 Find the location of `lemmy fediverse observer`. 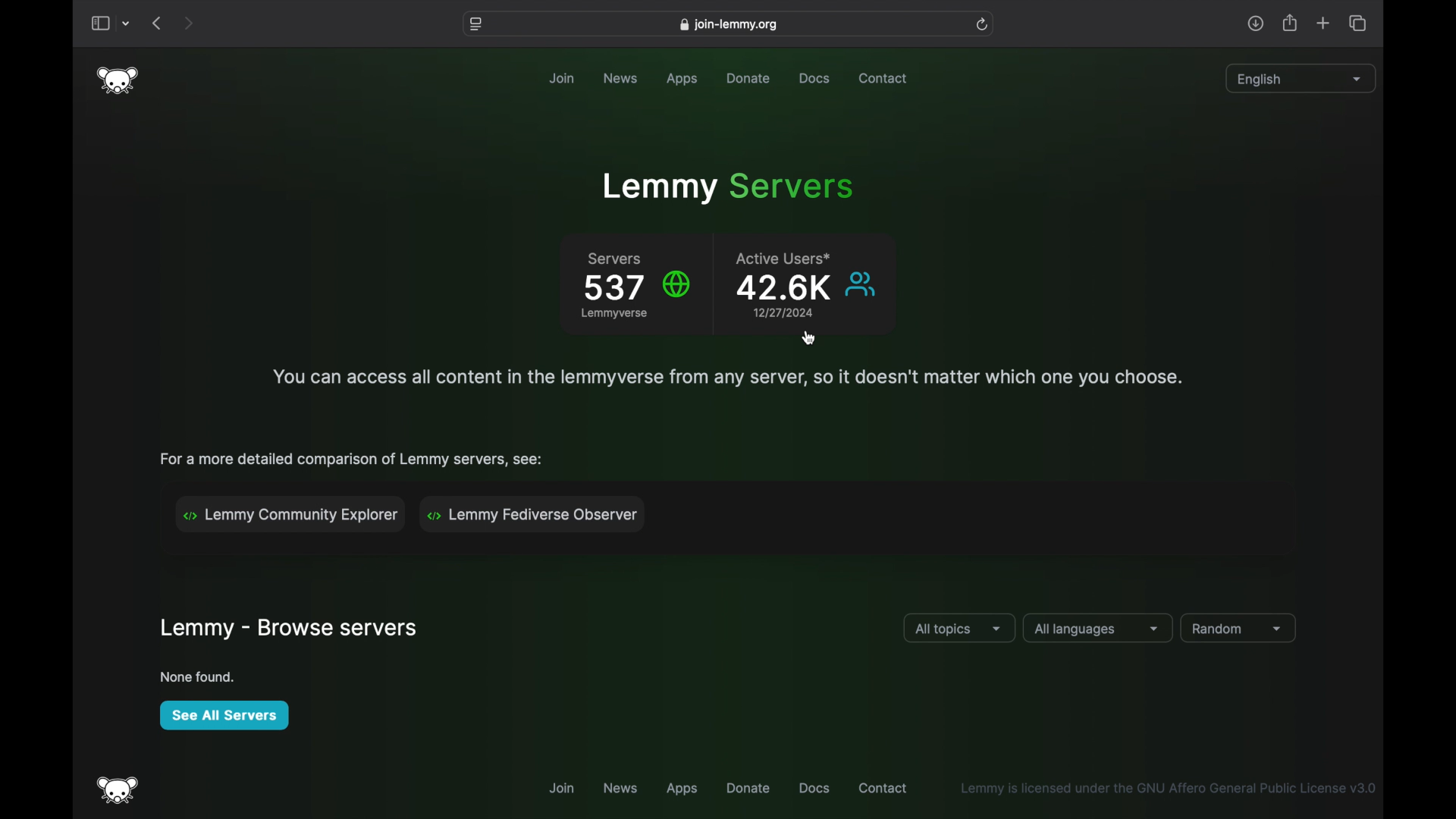

lemmy fediverse observer is located at coordinates (536, 514).